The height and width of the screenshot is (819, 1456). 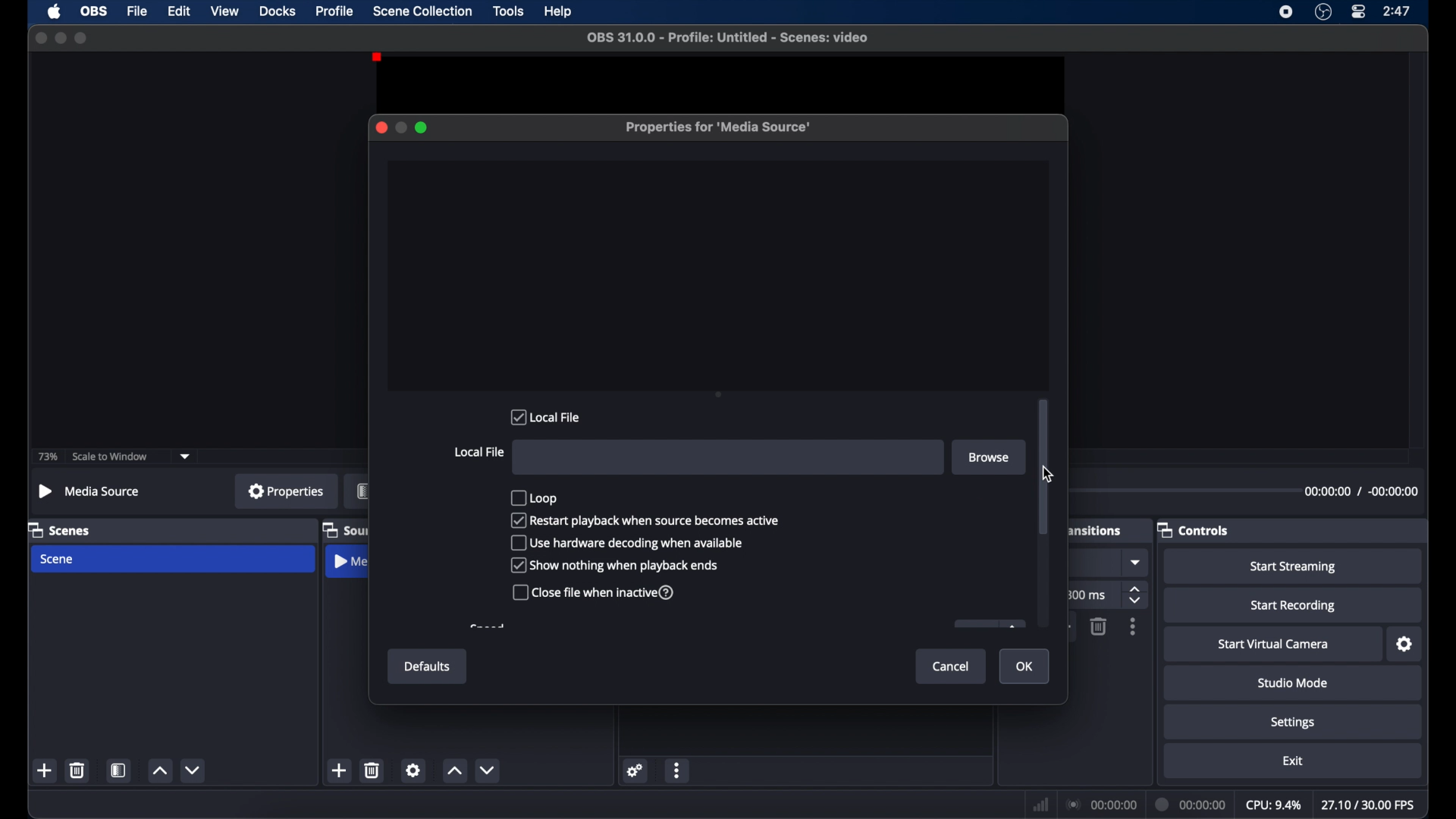 I want to click on connection, so click(x=1102, y=805).